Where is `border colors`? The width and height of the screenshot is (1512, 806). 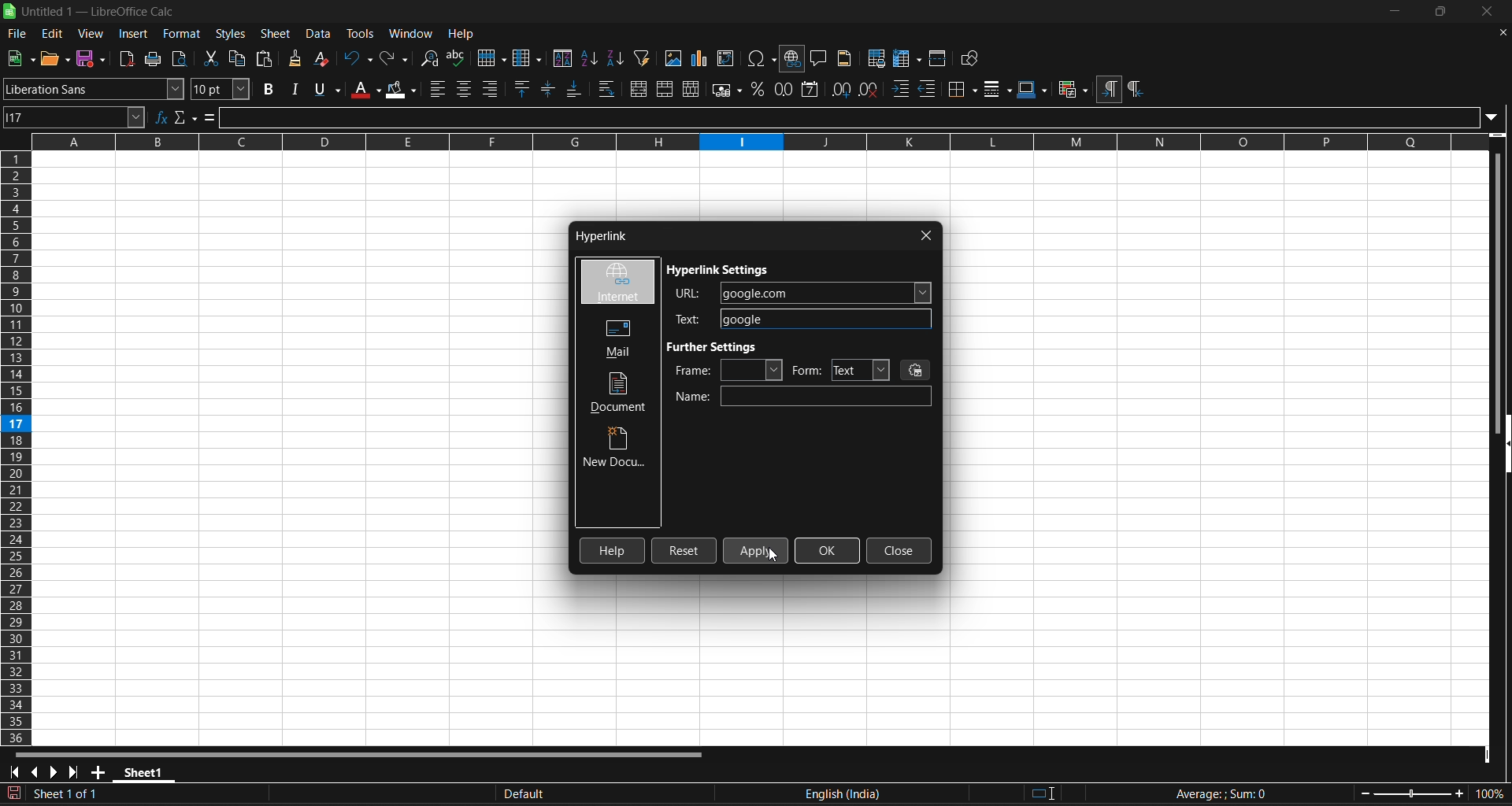
border colors is located at coordinates (1033, 90).